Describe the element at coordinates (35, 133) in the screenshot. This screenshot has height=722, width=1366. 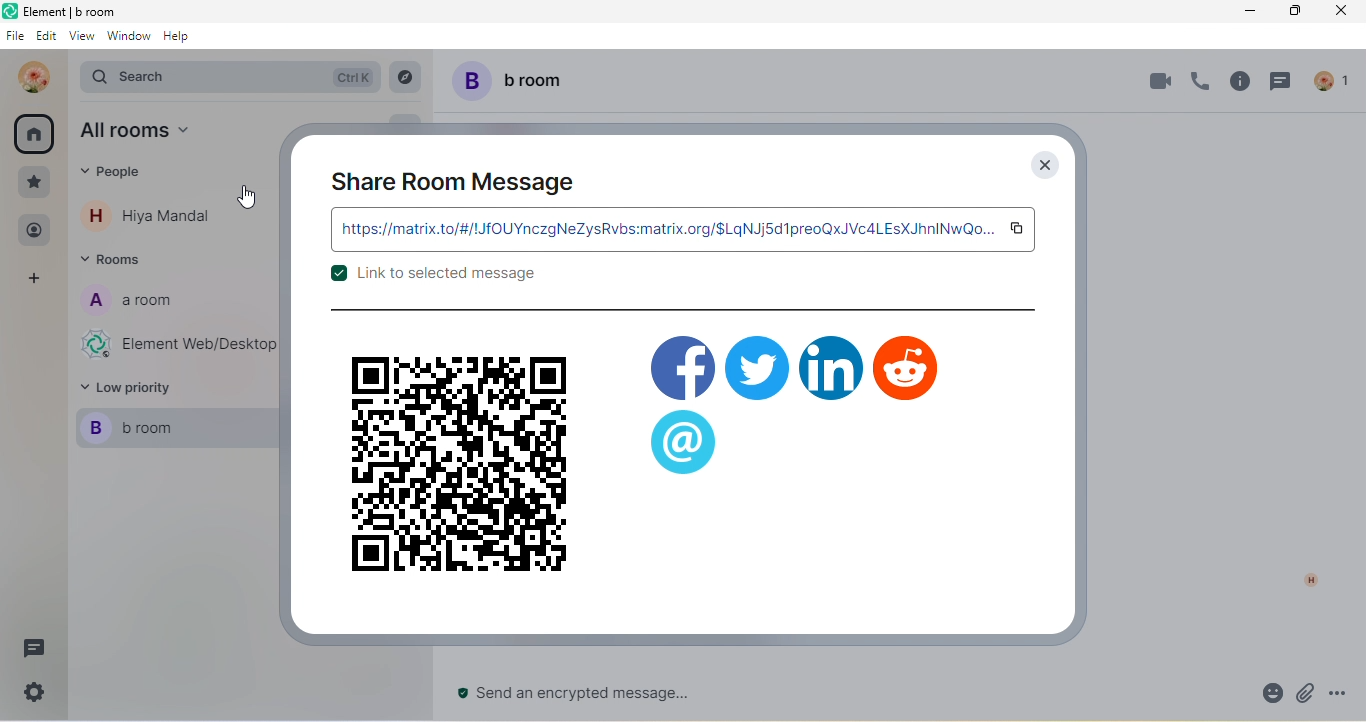
I see `all room` at that location.